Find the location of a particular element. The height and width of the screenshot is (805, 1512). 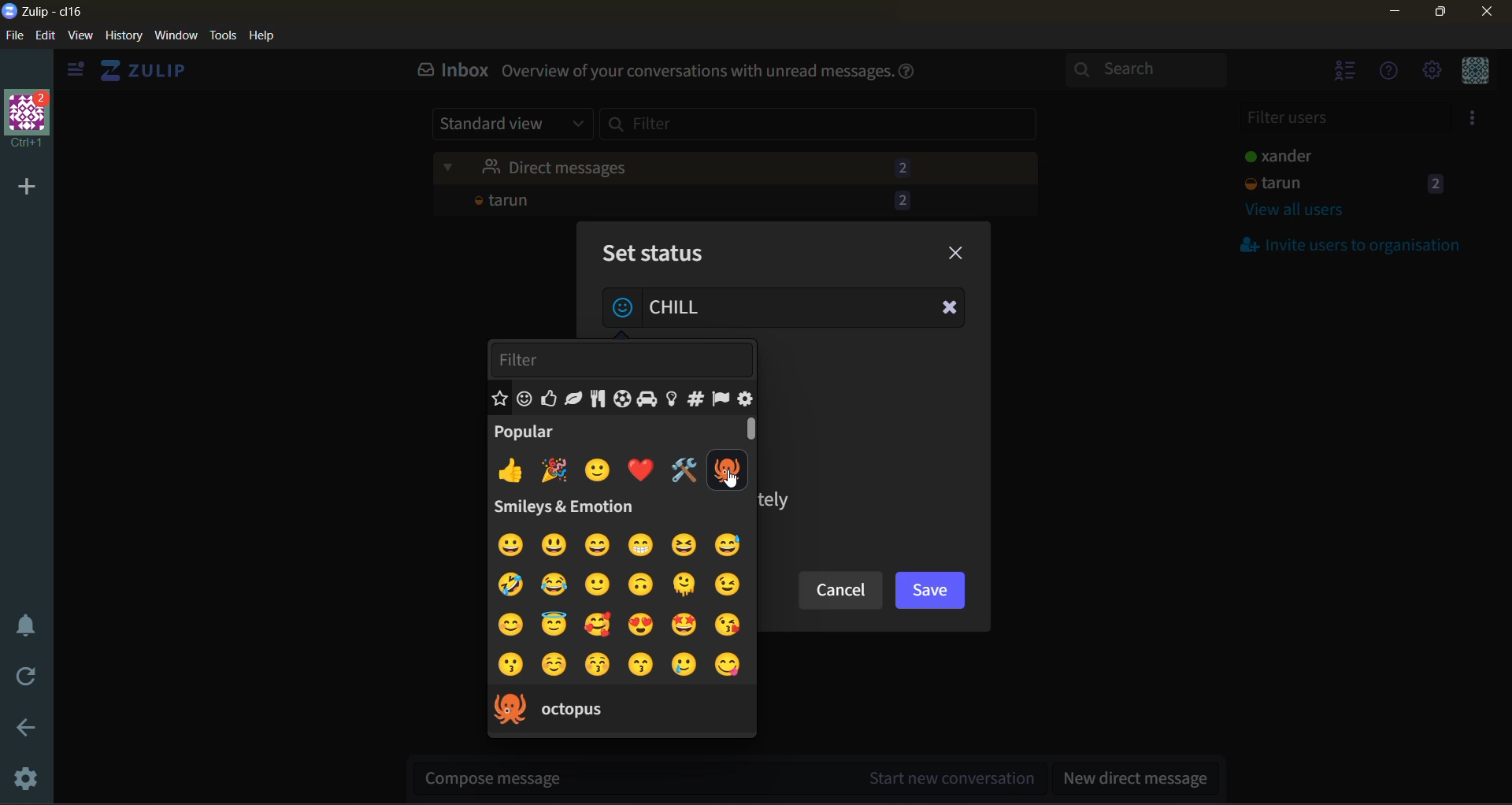

filter is located at coordinates (525, 357).